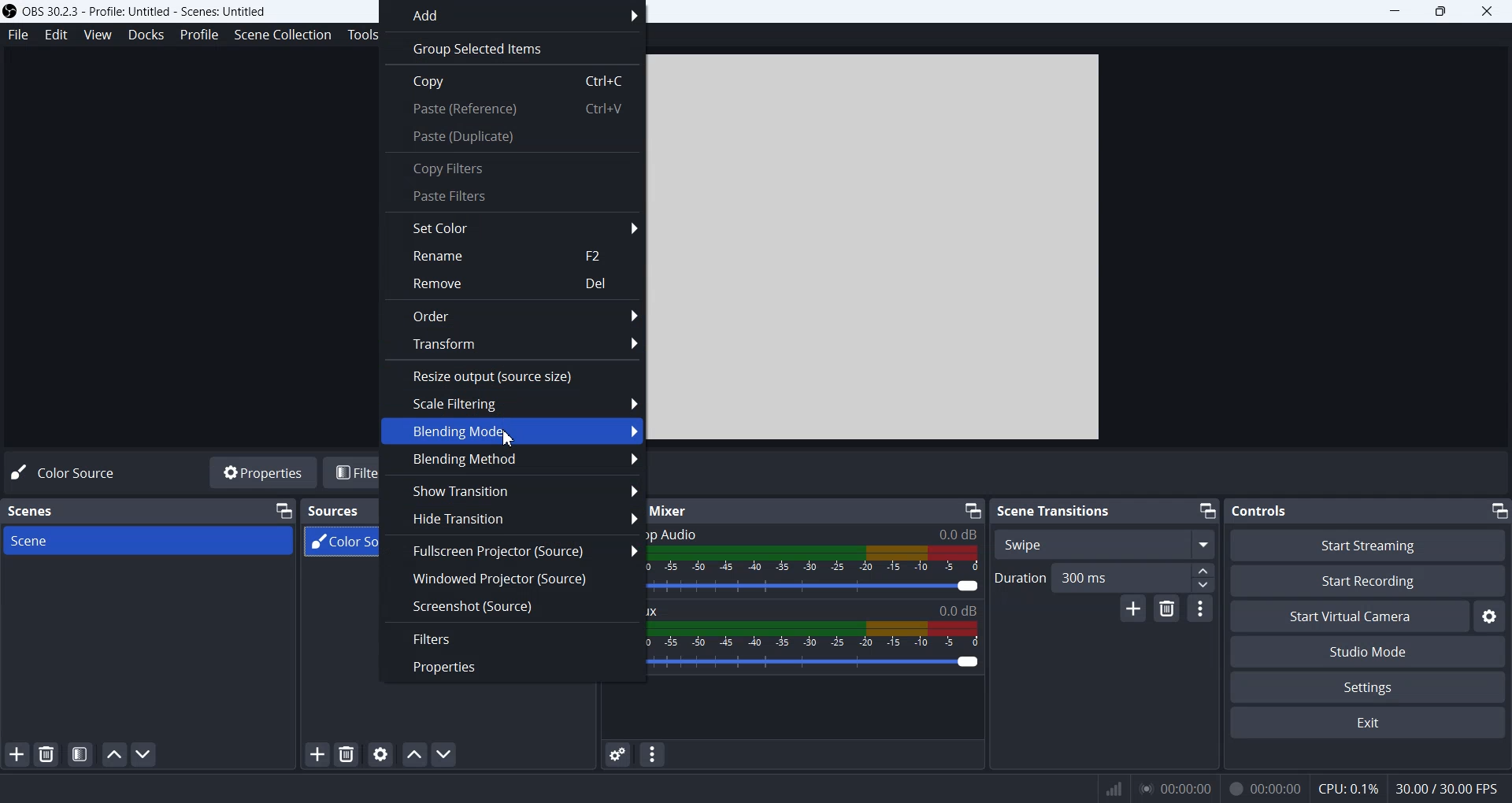 Image resolution: width=1512 pixels, height=803 pixels. Describe the element at coordinates (446, 754) in the screenshot. I see `Move Source Down` at that location.